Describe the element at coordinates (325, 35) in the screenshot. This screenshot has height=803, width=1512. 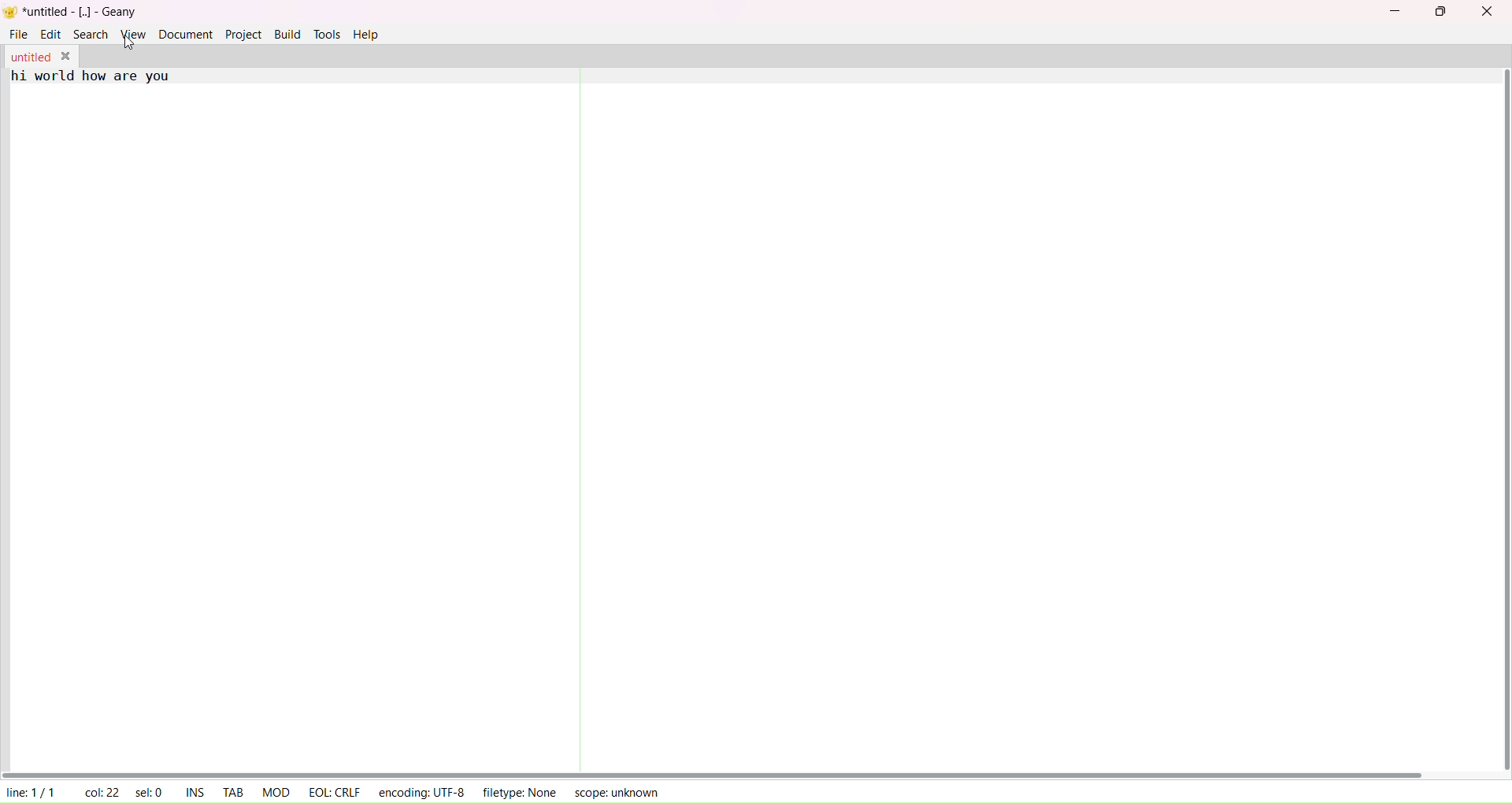
I see `tools` at that location.